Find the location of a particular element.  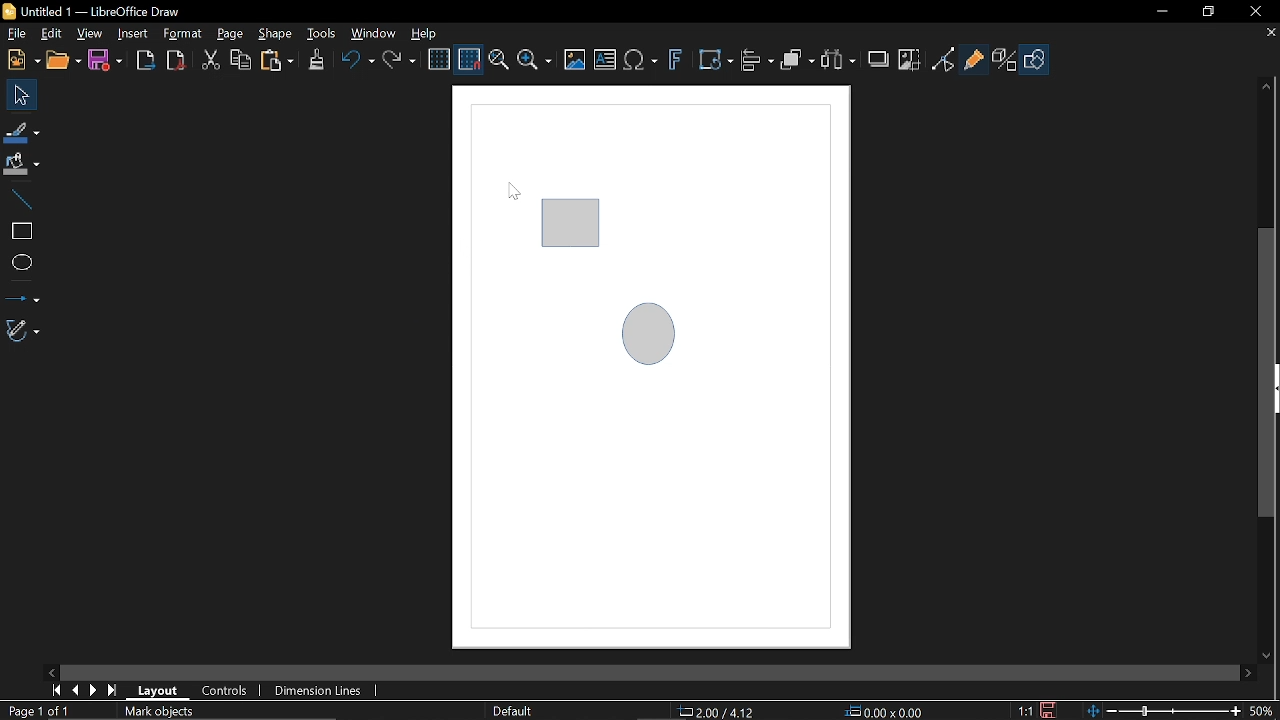

Insert text is located at coordinates (606, 60).